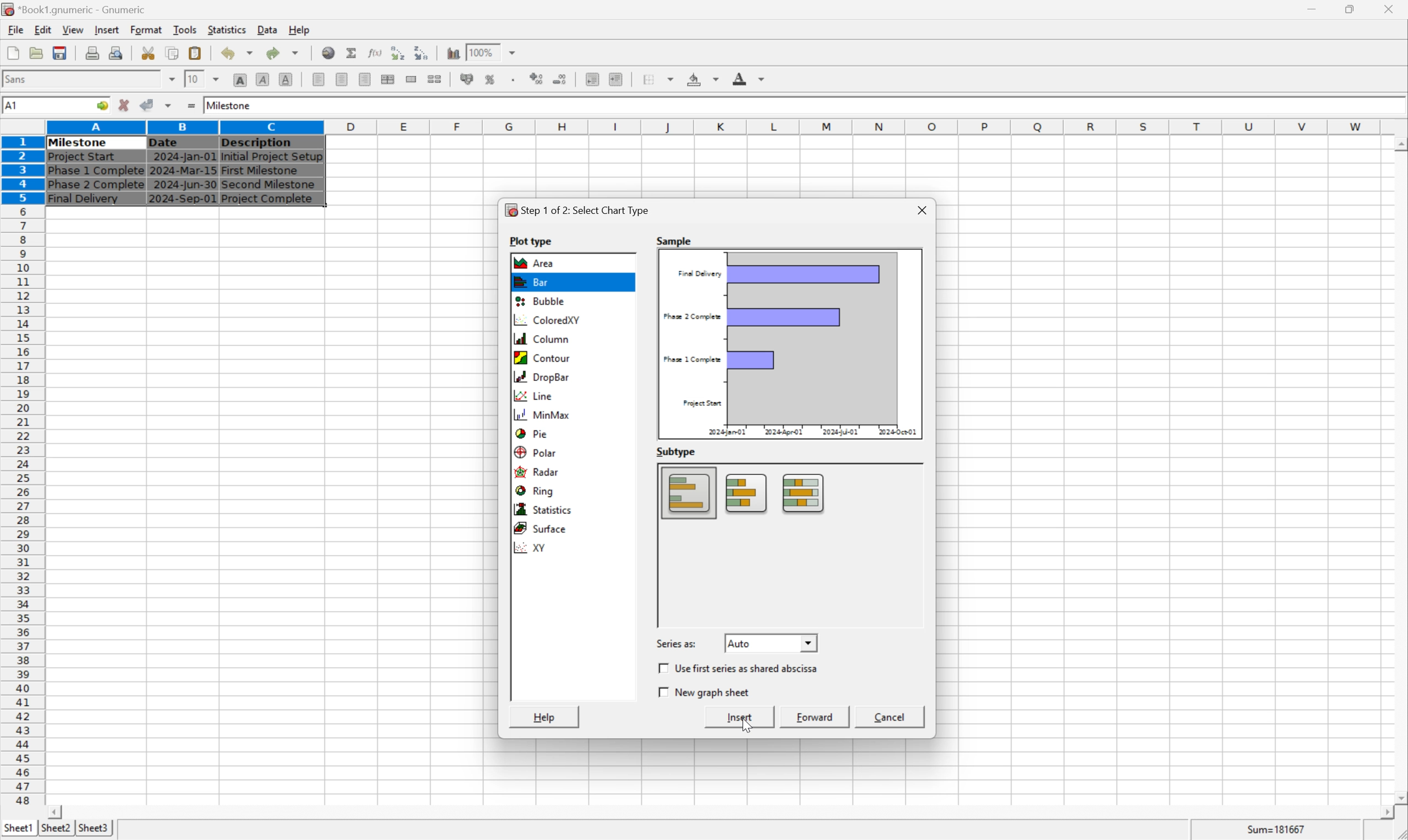  I want to click on decrease indent, so click(592, 80).